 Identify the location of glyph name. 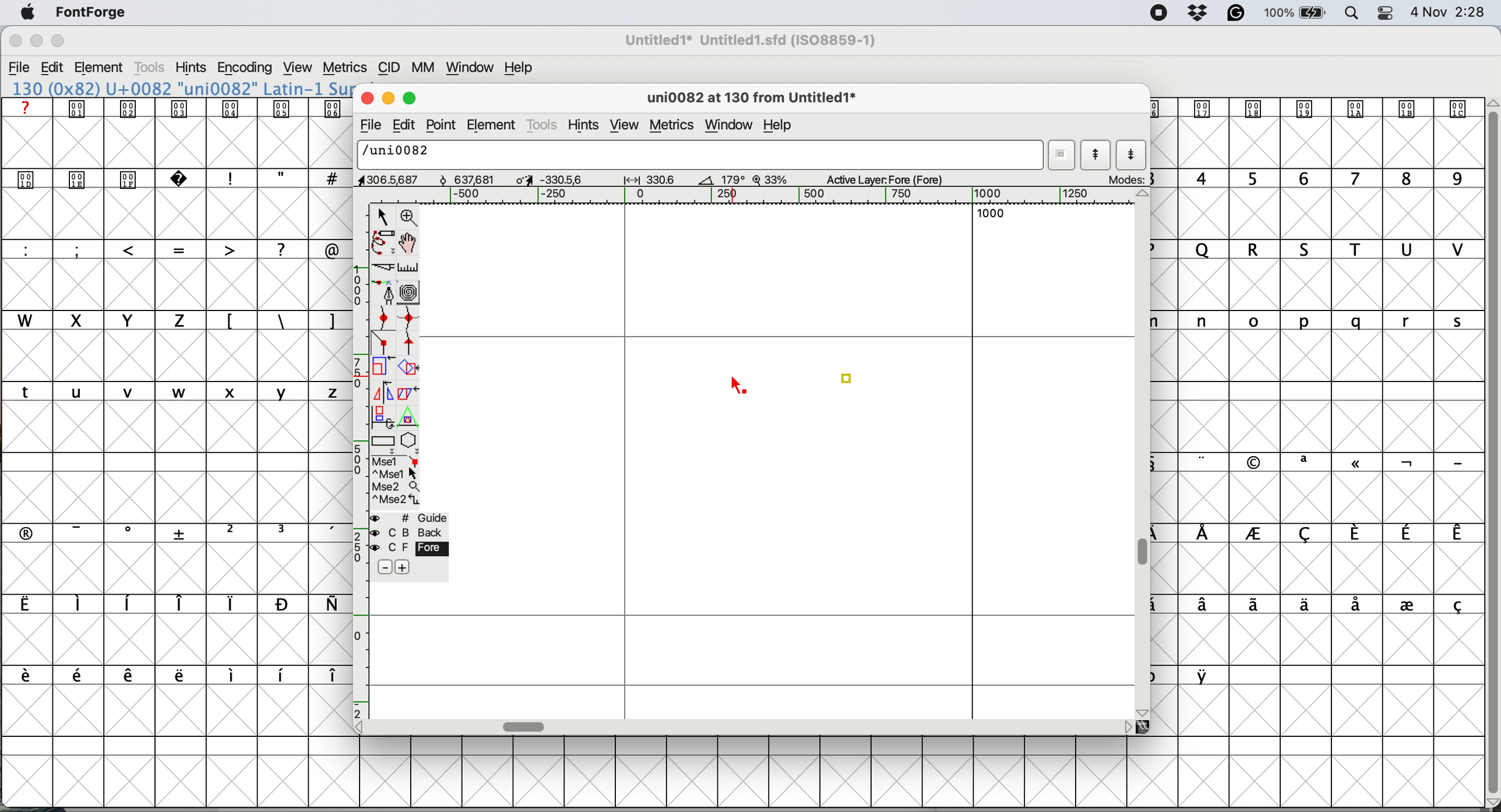
(749, 99).